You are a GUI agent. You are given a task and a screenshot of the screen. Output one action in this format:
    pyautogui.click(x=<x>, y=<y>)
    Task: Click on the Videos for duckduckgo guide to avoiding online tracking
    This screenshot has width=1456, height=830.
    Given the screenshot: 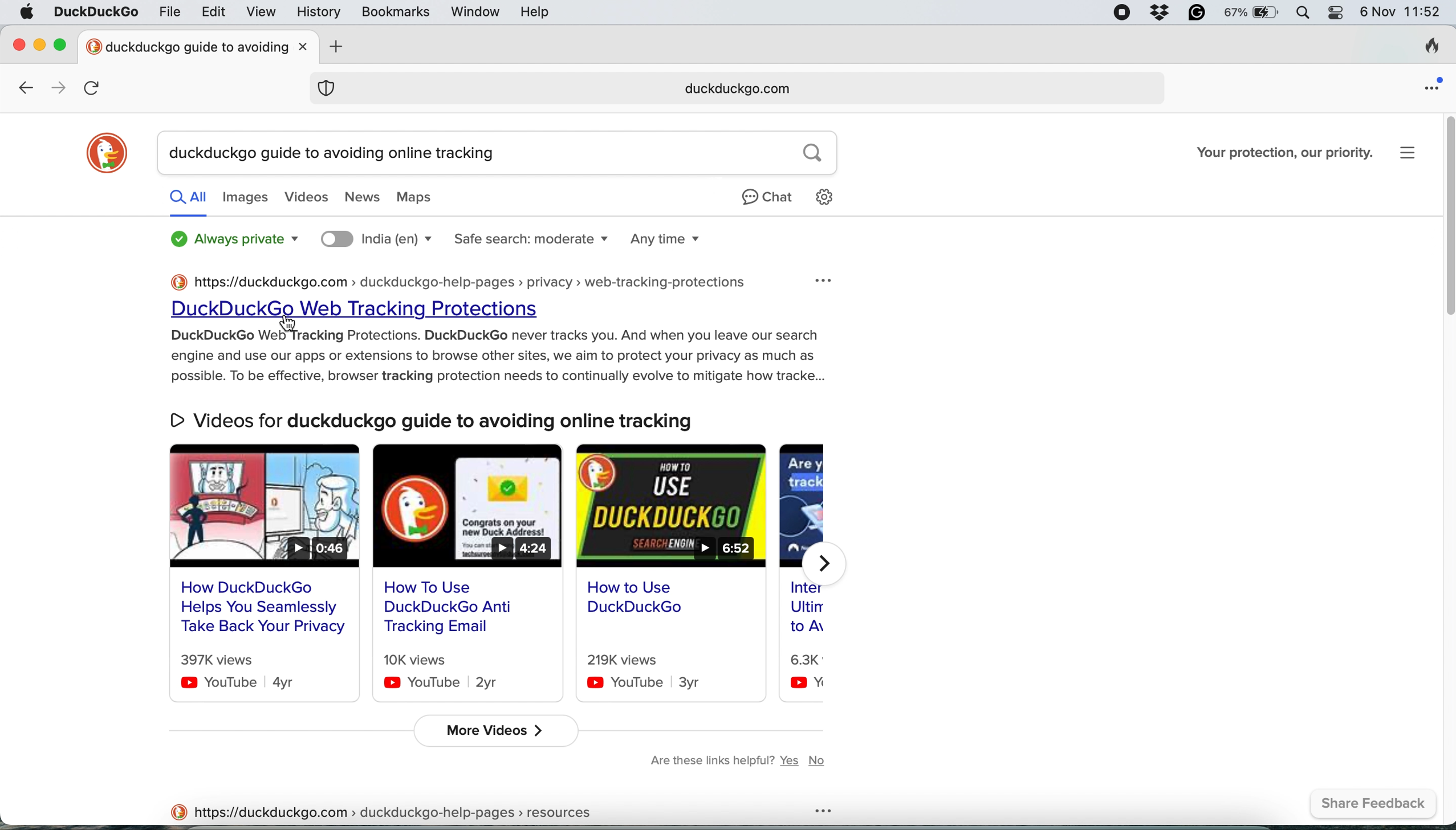 What is the action you would take?
    pyautogui.click(x=438, y=417)
    